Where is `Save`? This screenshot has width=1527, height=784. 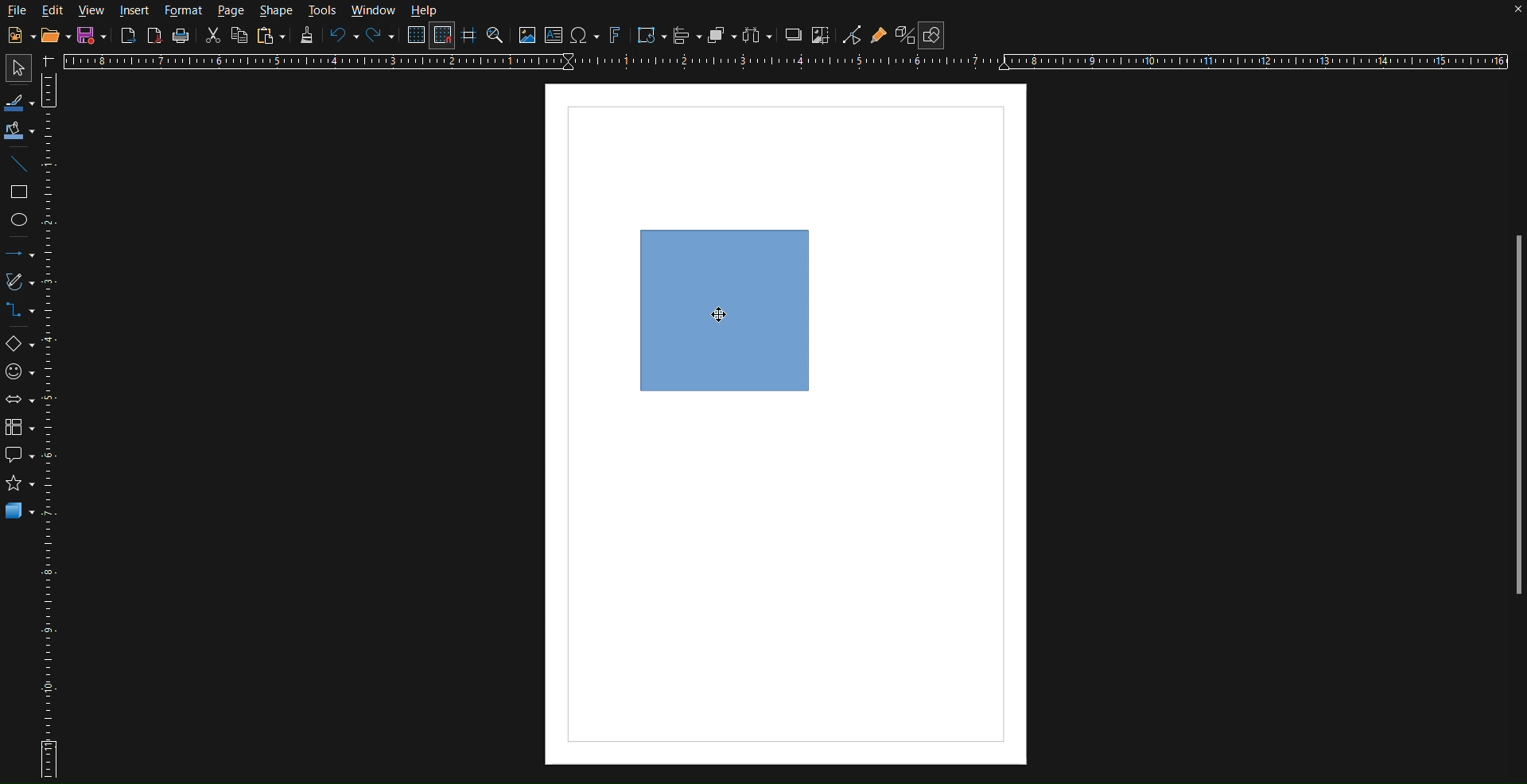 Save is located at coordinates (92, 35).